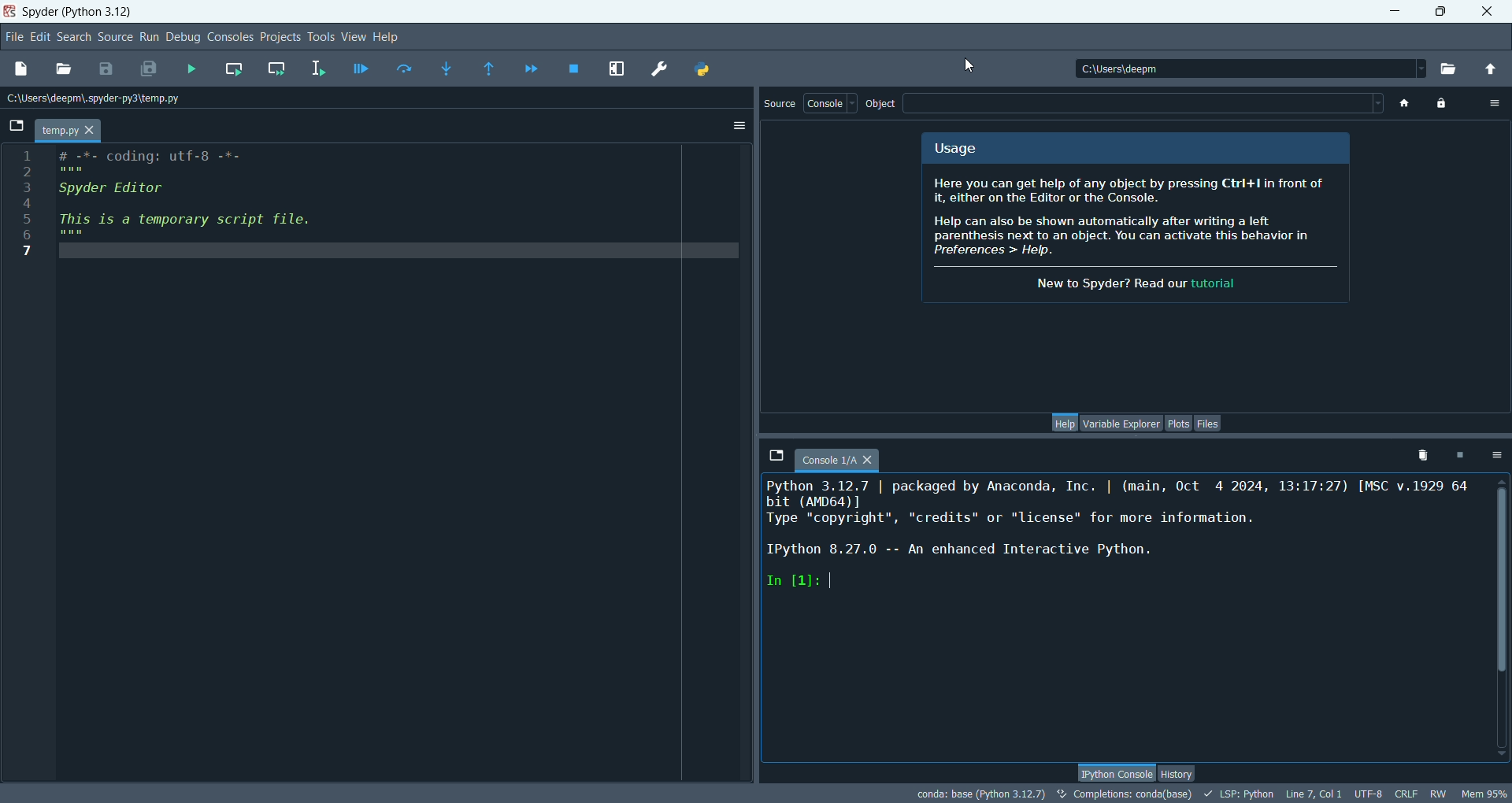  I want to click on Here you can get help of any object by pressing Ctrl+1 in front of
it, either on the Editor or the Console.
Help can also be shown automatically after writing a left
parenthesis next to an object. You can activate this behavior in
Preferences > Help.

New to Spyder? Read our tutorial, so click(1125, 239).